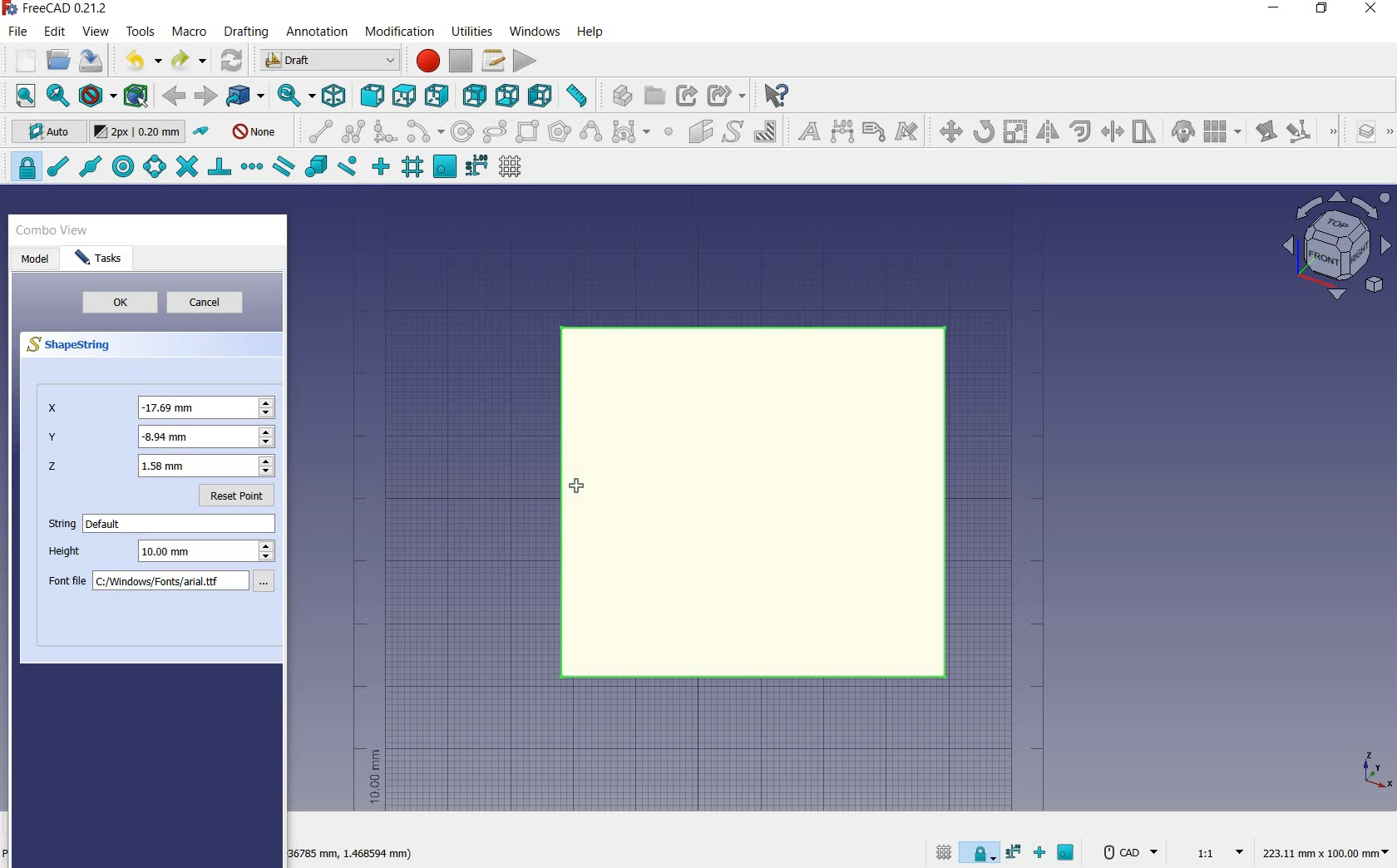 Image resolution: width=1397 pixels, height=868 pixels. What do you see at coordinates (246, 96) in the screenshot?
I see `go to linked object` at bounding box center [246, 96].